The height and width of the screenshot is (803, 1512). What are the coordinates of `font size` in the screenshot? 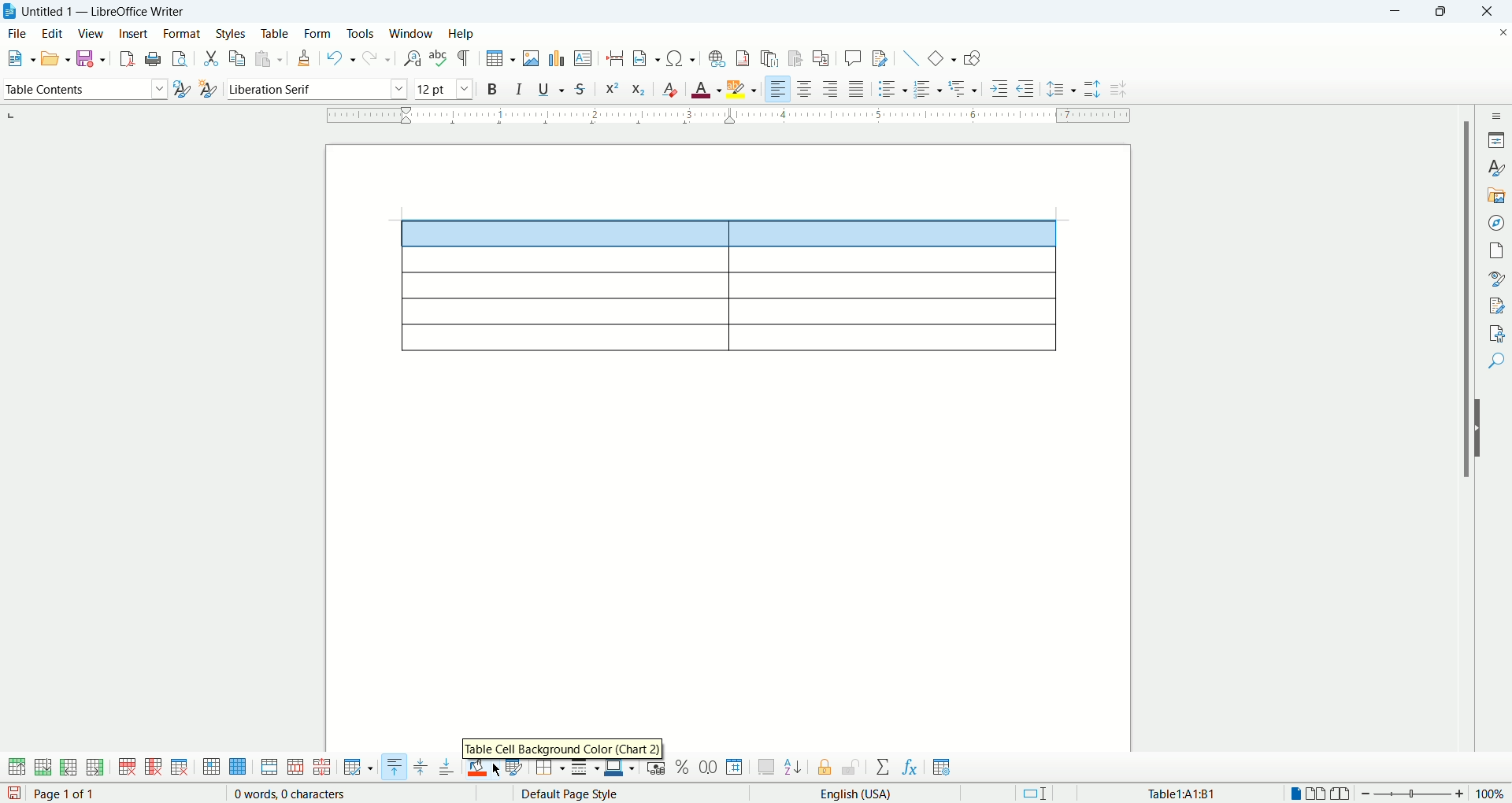 It's located at (444, 88).